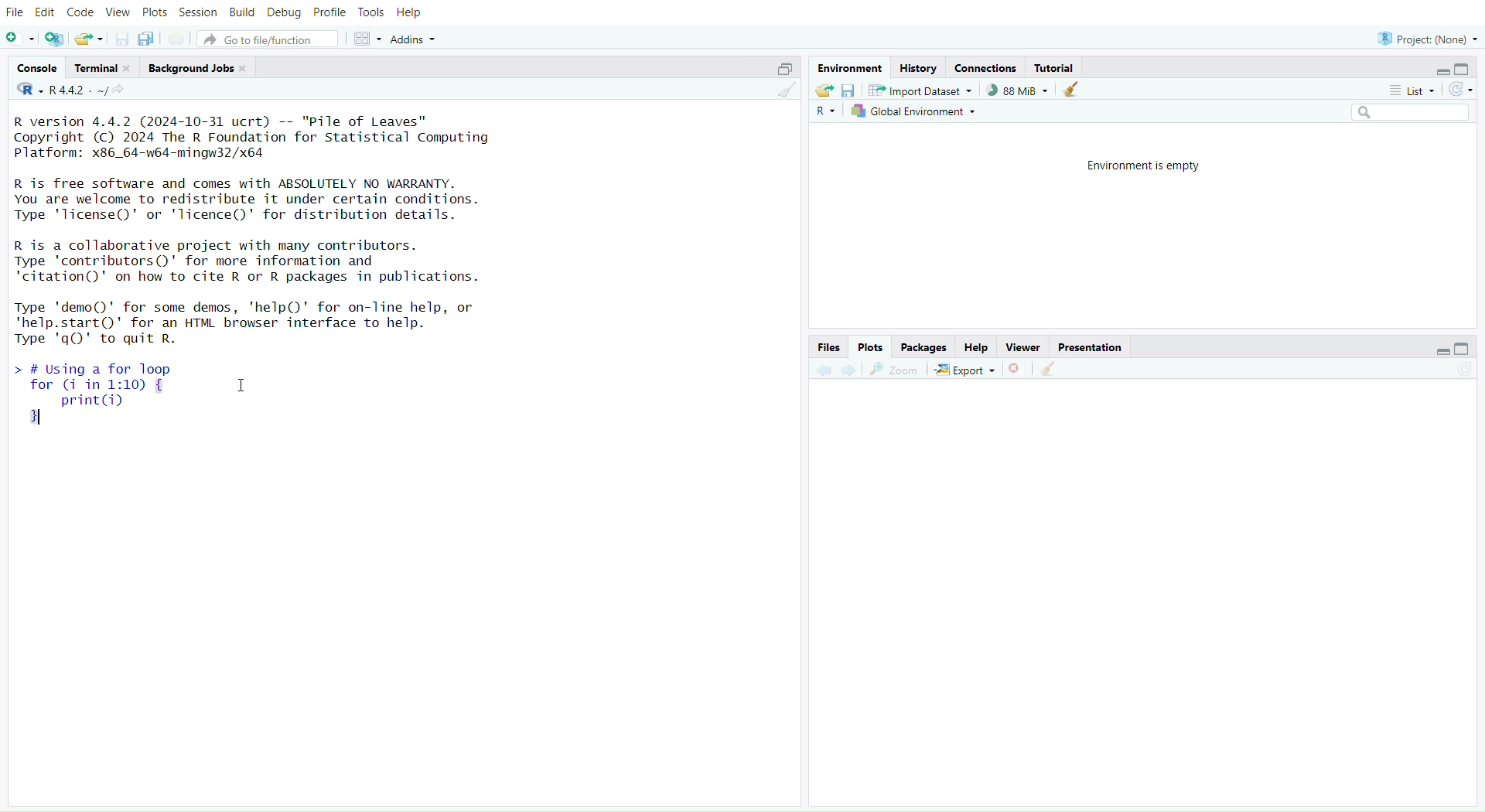 This screenshot has width=1485, height=812. What do you see at coordinates (1426, 39) in the screenshot?
I see `project (None)` at bounding box center [1426, 39].